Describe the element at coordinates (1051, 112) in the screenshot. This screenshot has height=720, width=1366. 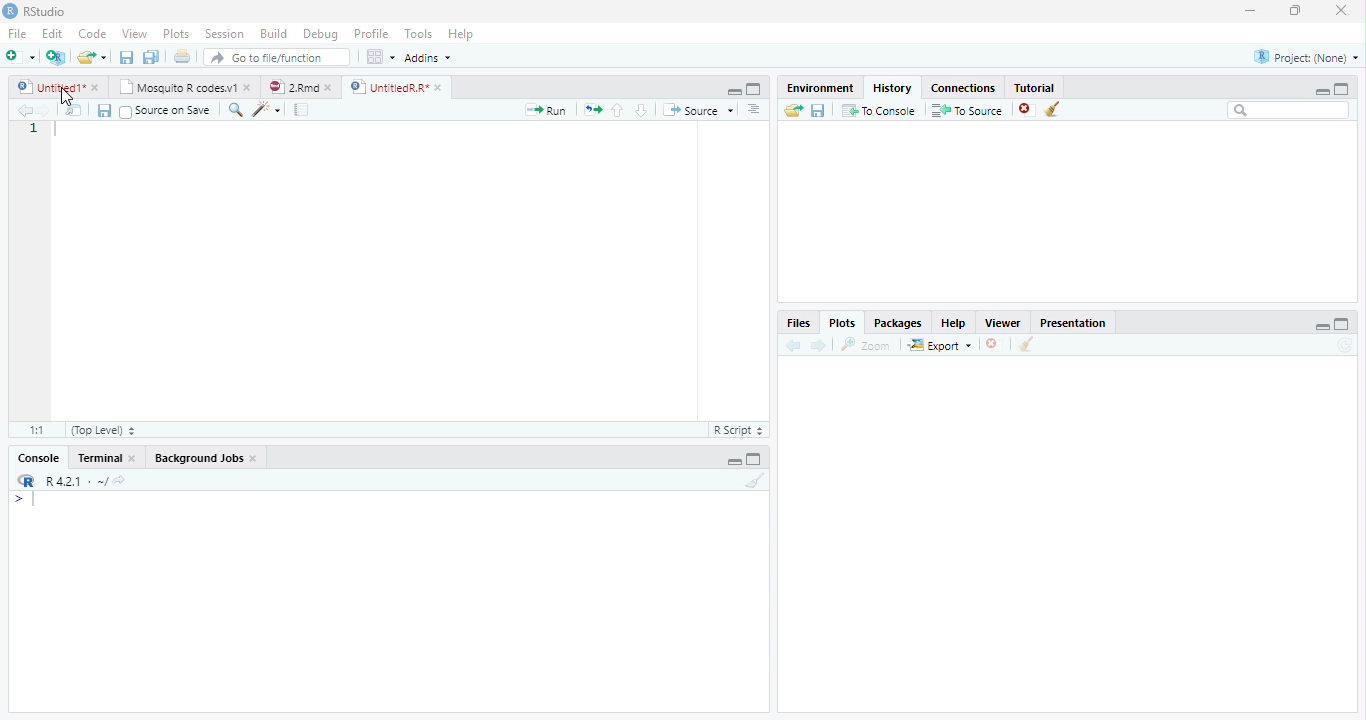
I see `Clear Console` at that location.